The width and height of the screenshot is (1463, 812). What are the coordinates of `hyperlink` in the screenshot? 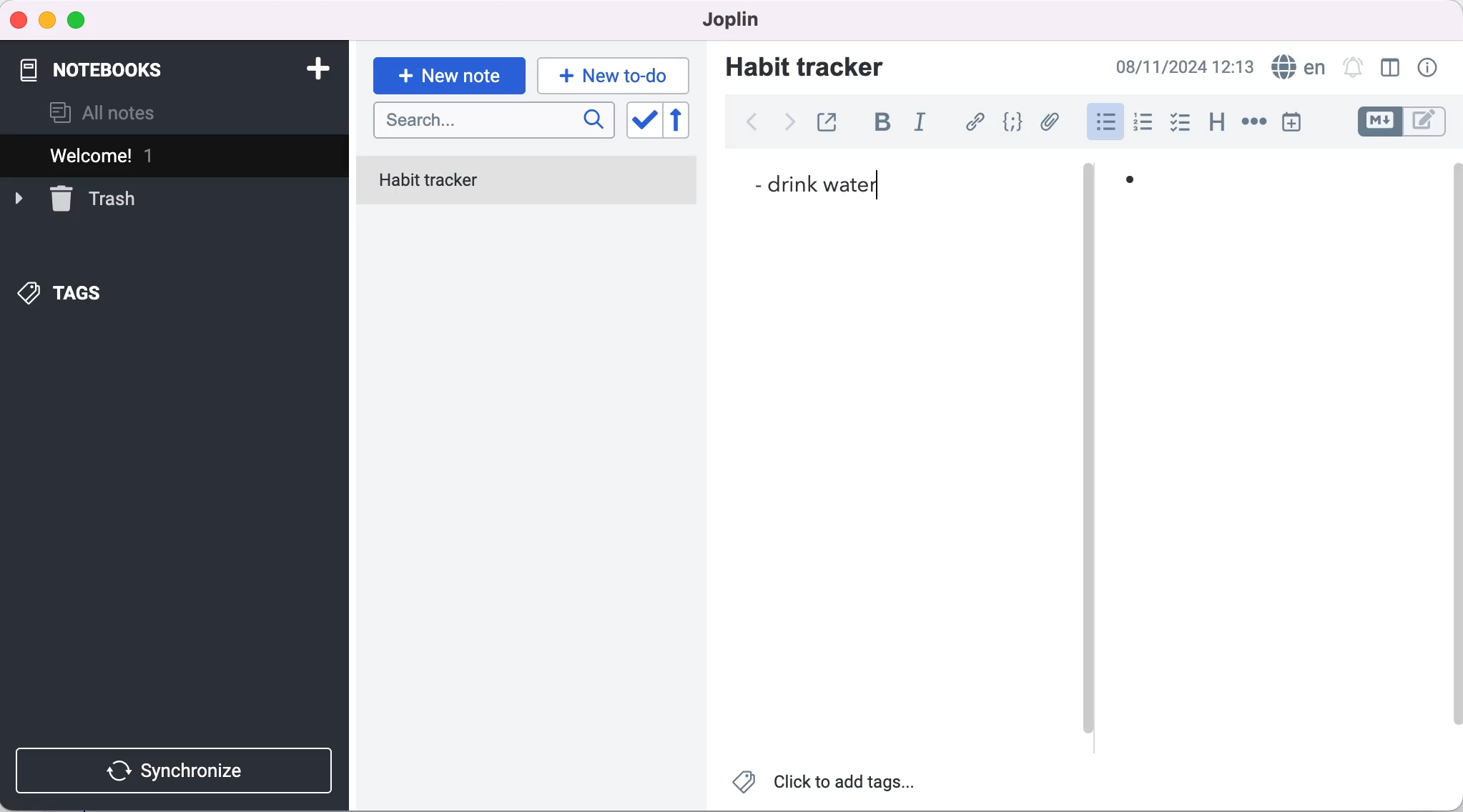 It's located at (977, 122).